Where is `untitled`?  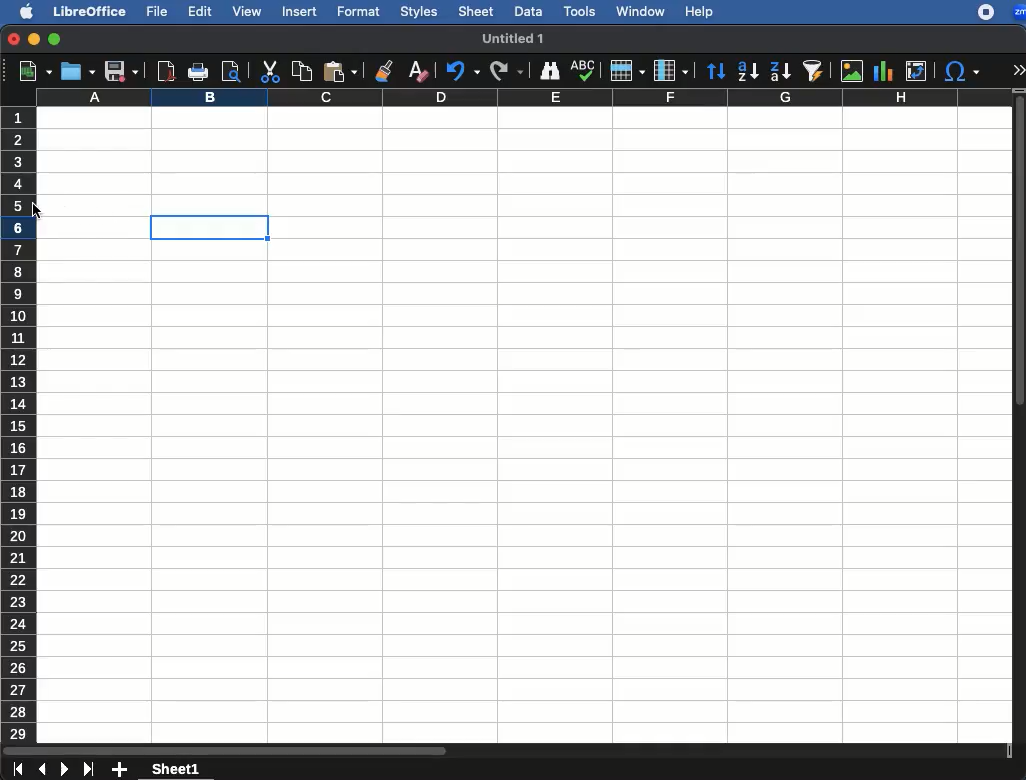 untitled is located at coordinates (514, 37).